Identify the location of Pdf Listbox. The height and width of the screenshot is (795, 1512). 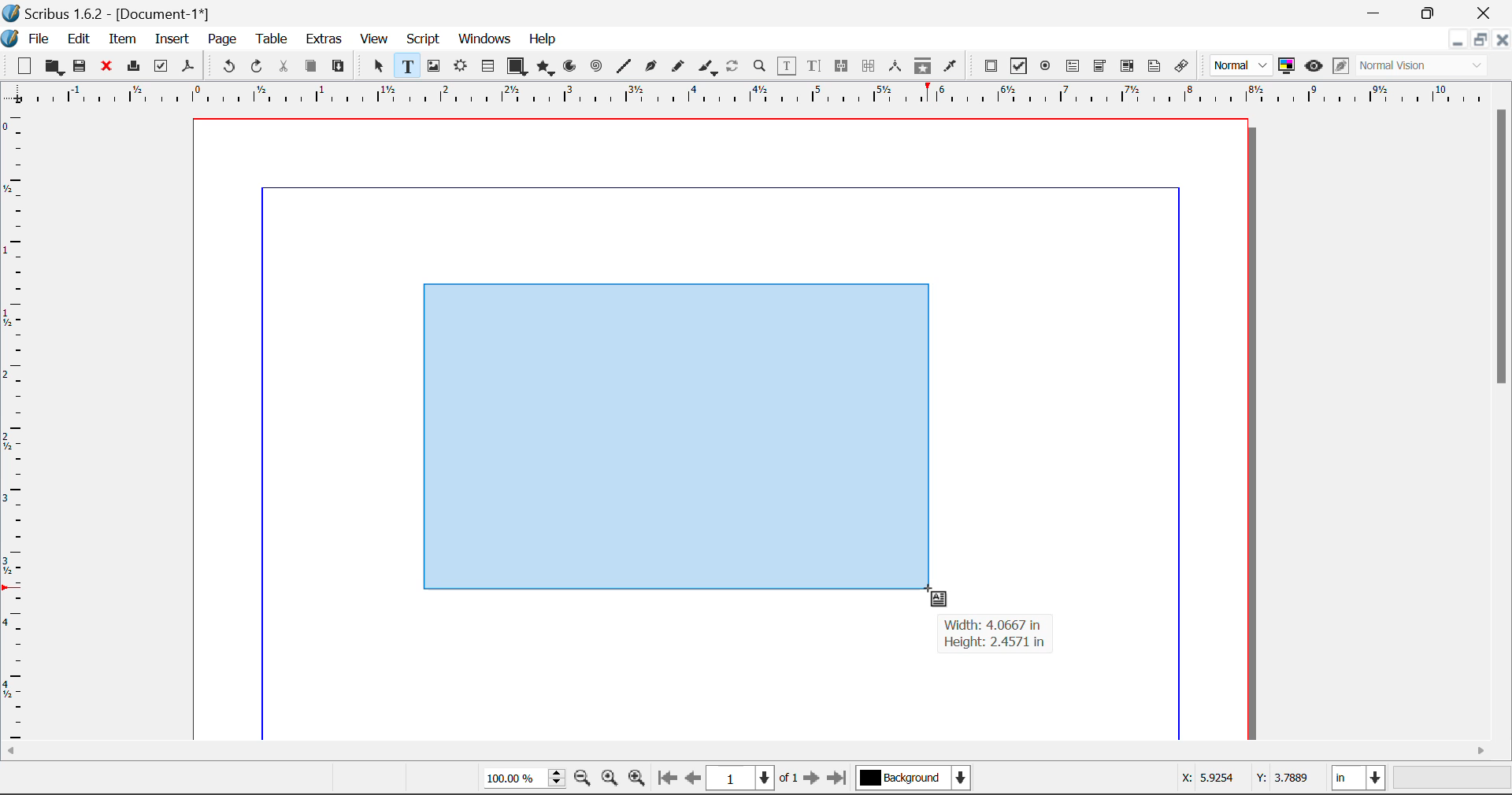
(1125, 66).